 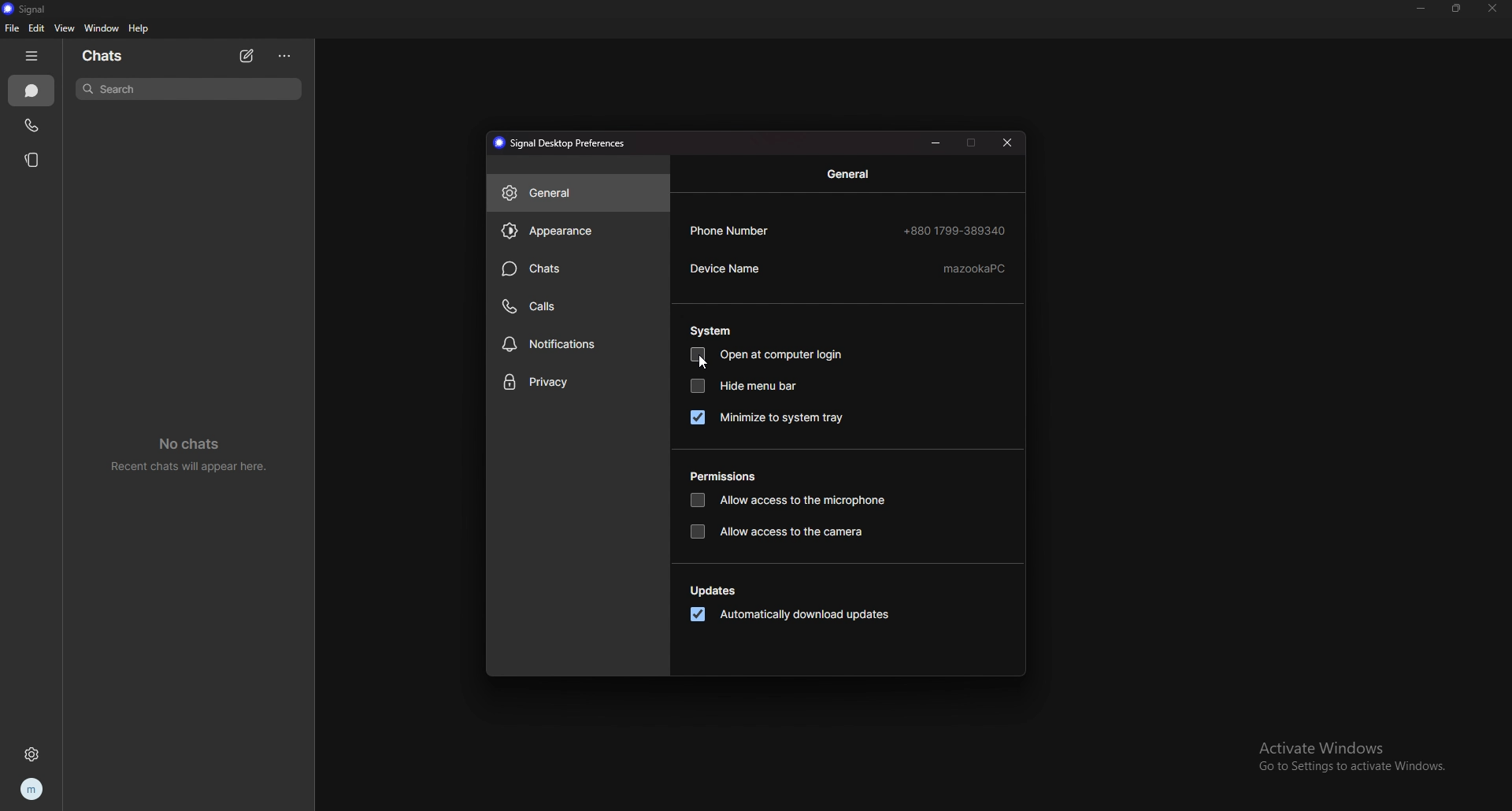 I want to click on profile, so click(x=30, y=791).